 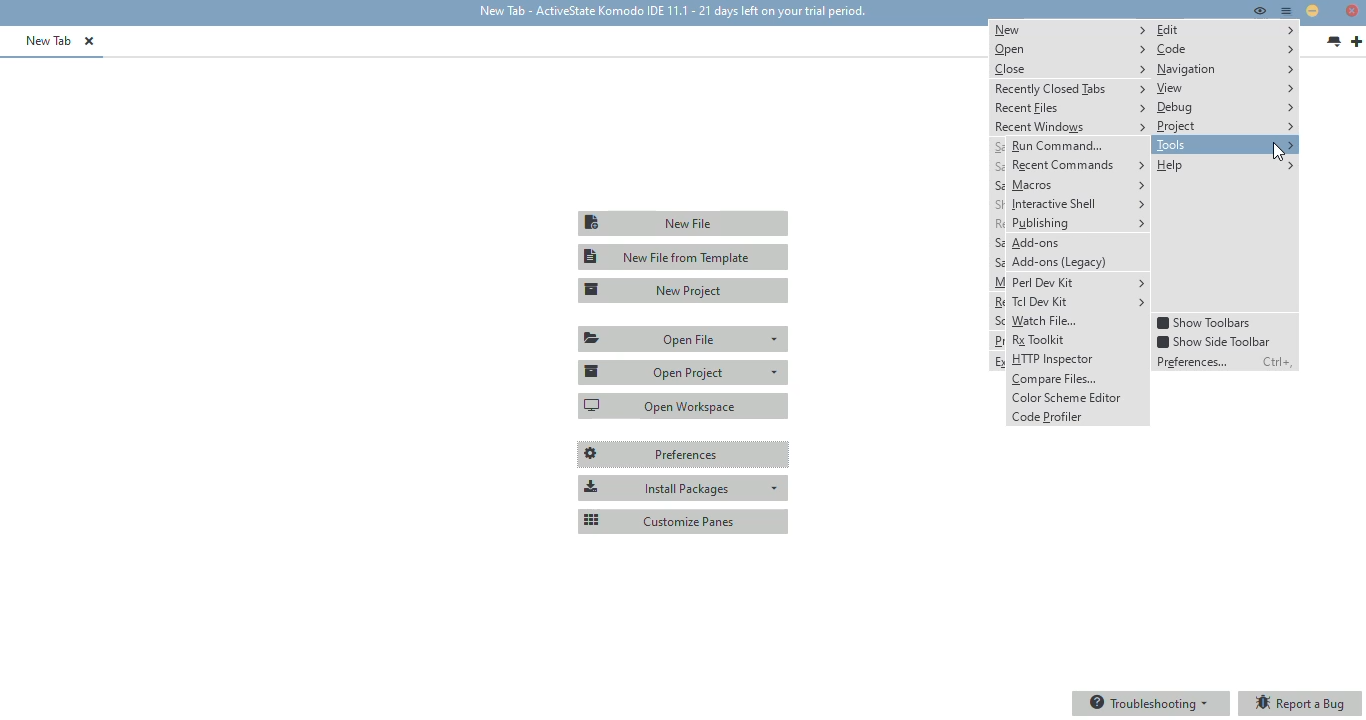 What do you see at coordinates (670, 12) in the screenshot?
I see `new tab - ActiveState Komodo IDE 11.1-21 days left on your trial period.` at bounding box center [670, 12].